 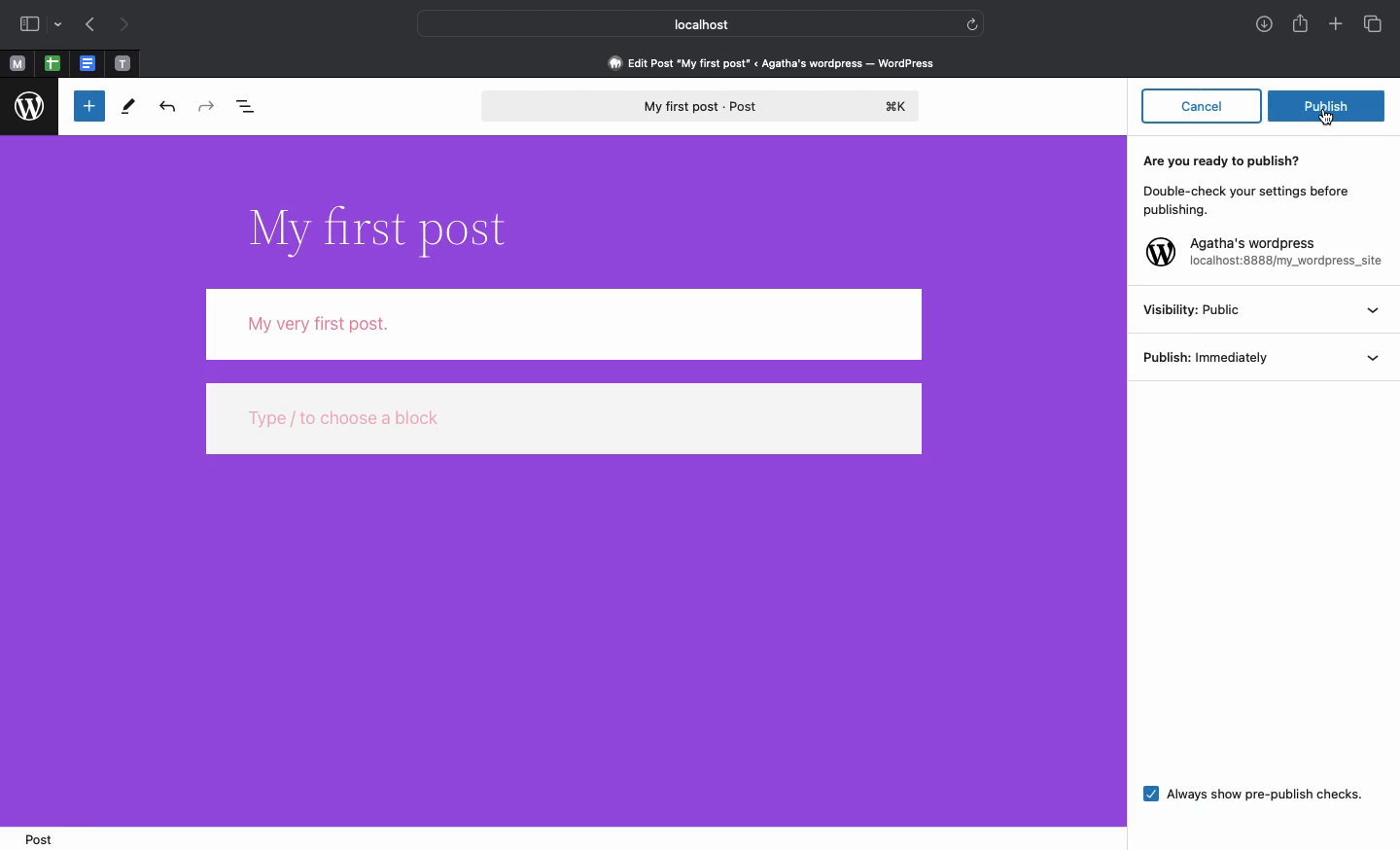 I want to click on My first post, so click(x=704, y=107).